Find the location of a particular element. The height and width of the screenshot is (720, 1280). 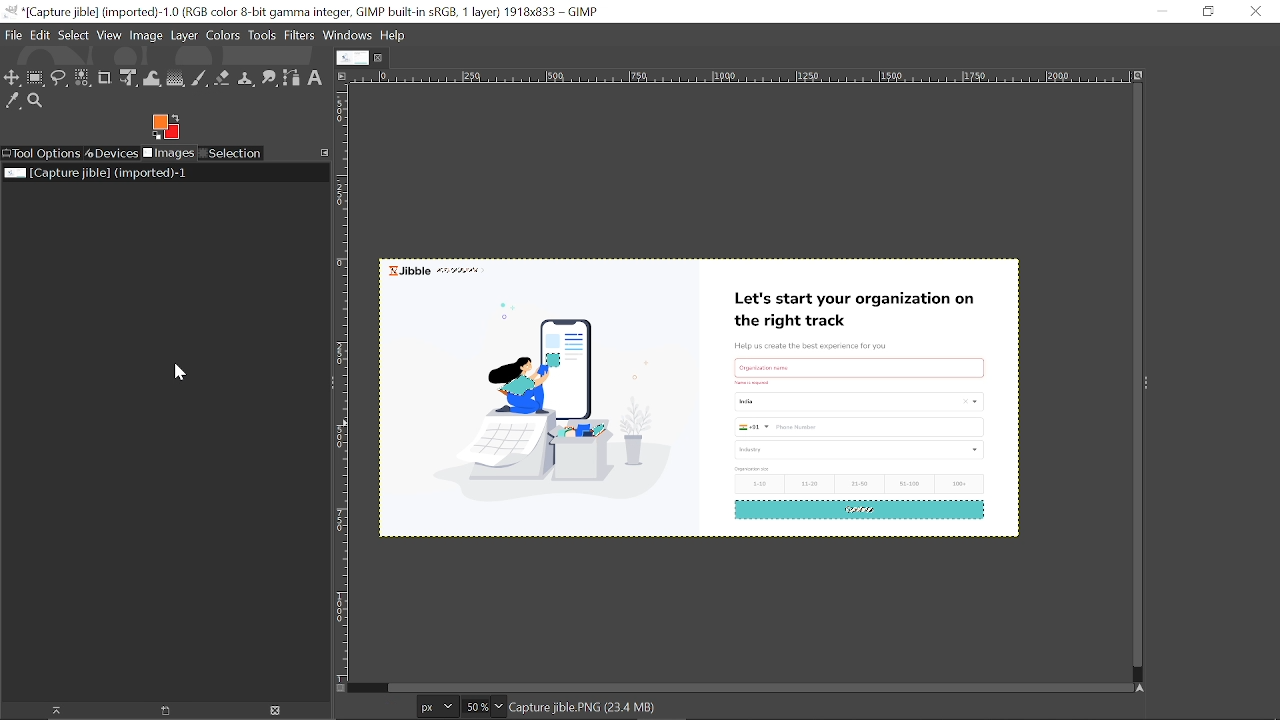

View is located at coordinates (110, 35).